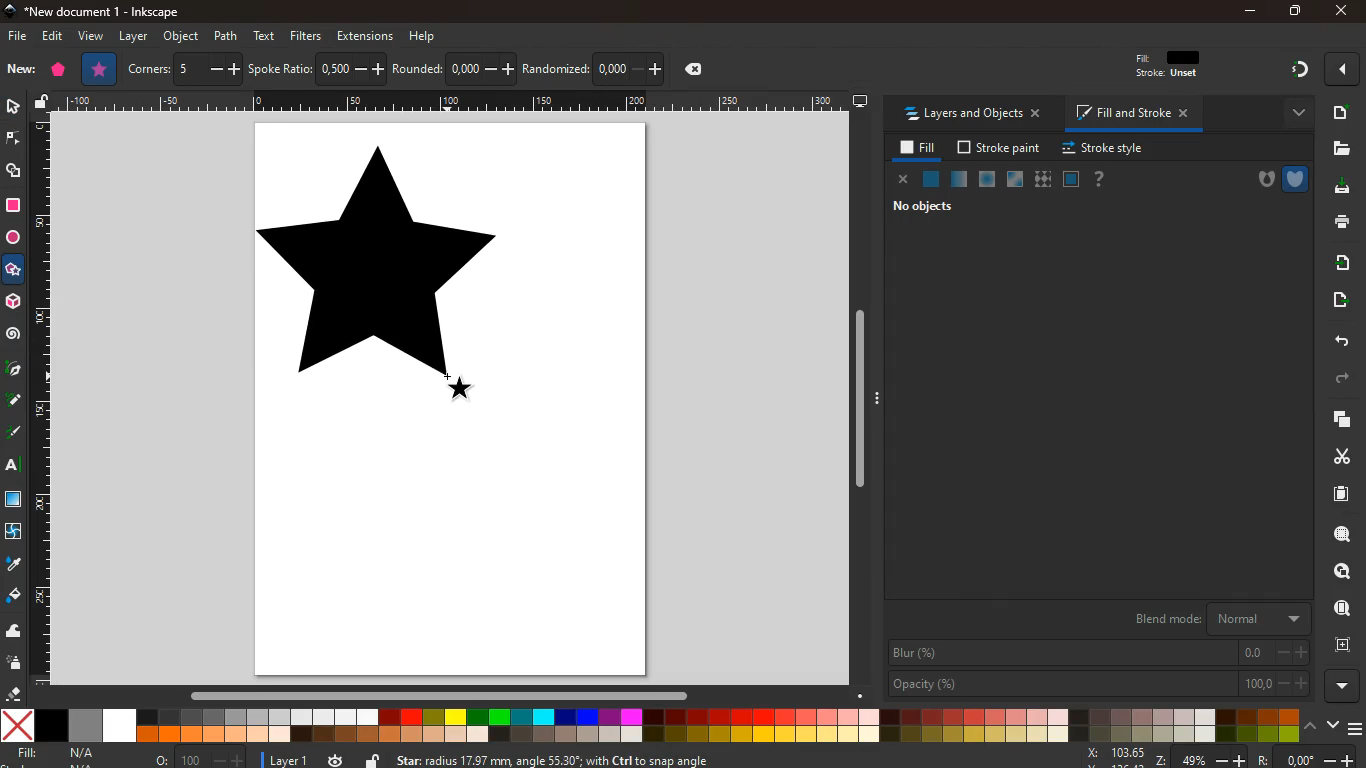 This screenshot has height=768, width=1366. What do you see at coordinates (1105, 179) in the screenshot?
I see `help` at bounding box center [1105, 179].